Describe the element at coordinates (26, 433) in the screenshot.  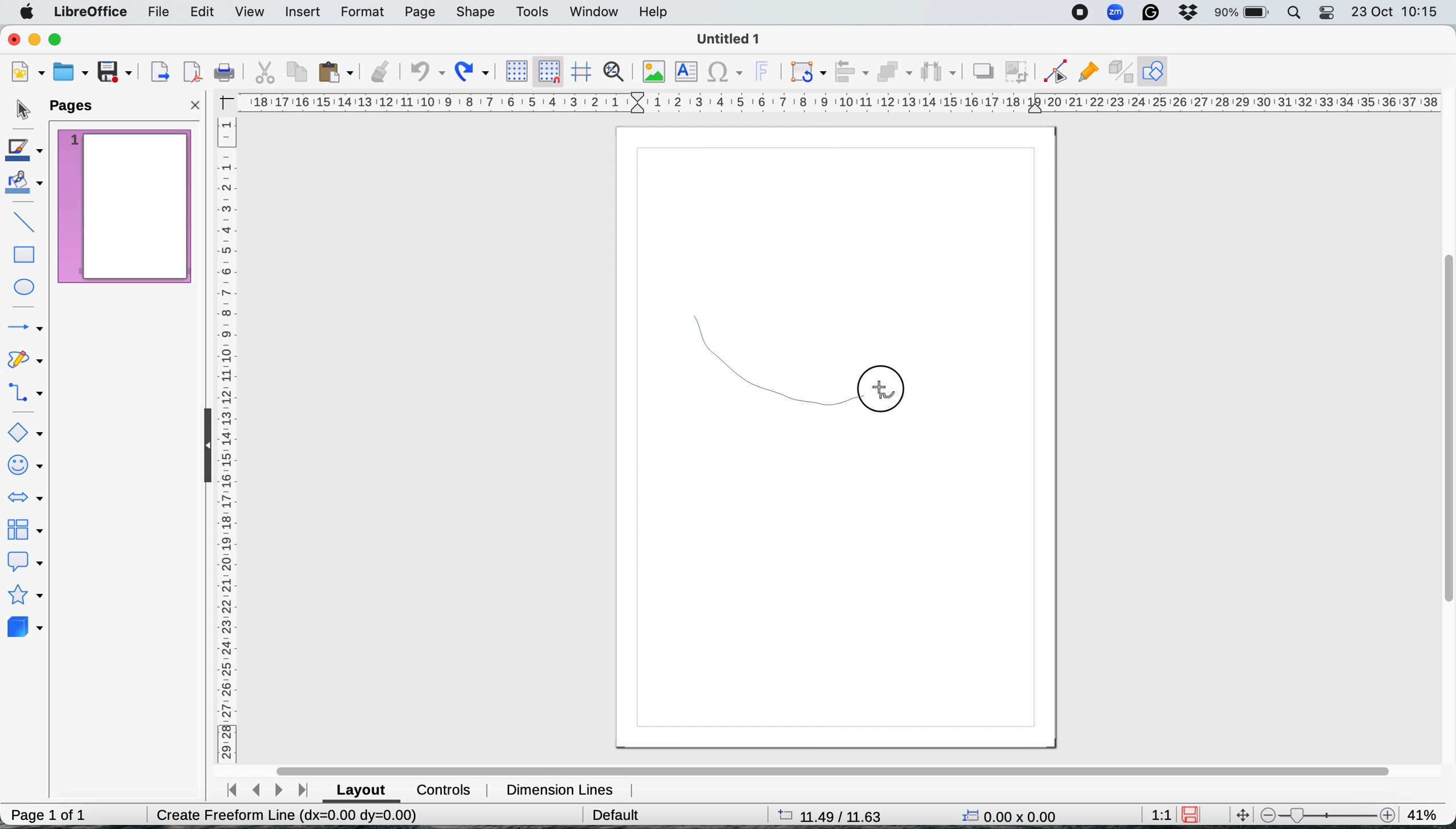
I see `basic shapes` at that location.